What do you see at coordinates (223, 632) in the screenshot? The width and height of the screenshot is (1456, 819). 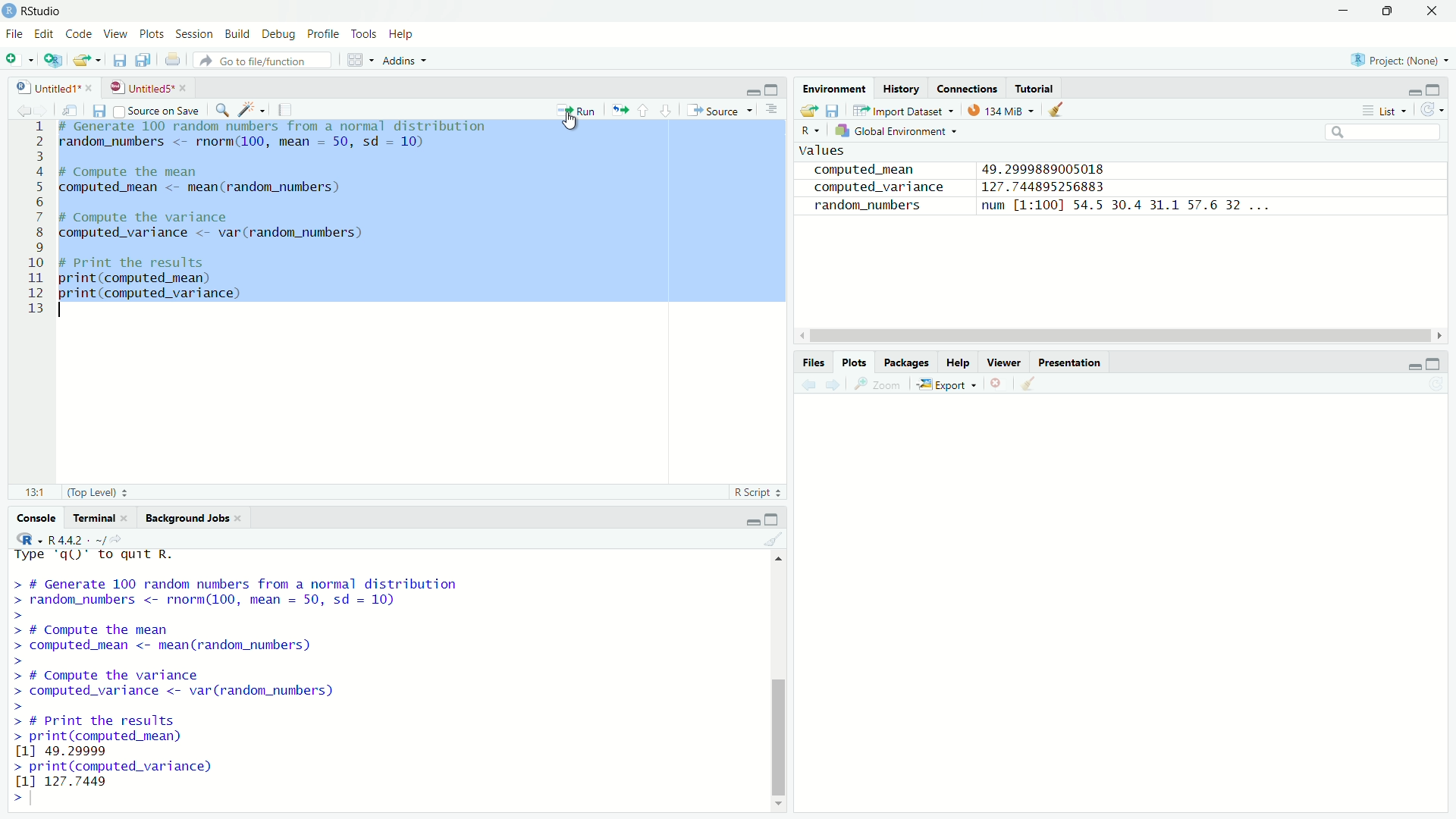 I see `# Compute the mean
computed_mean <- mean (random_nunbers)` at bounding box center [223, 632].